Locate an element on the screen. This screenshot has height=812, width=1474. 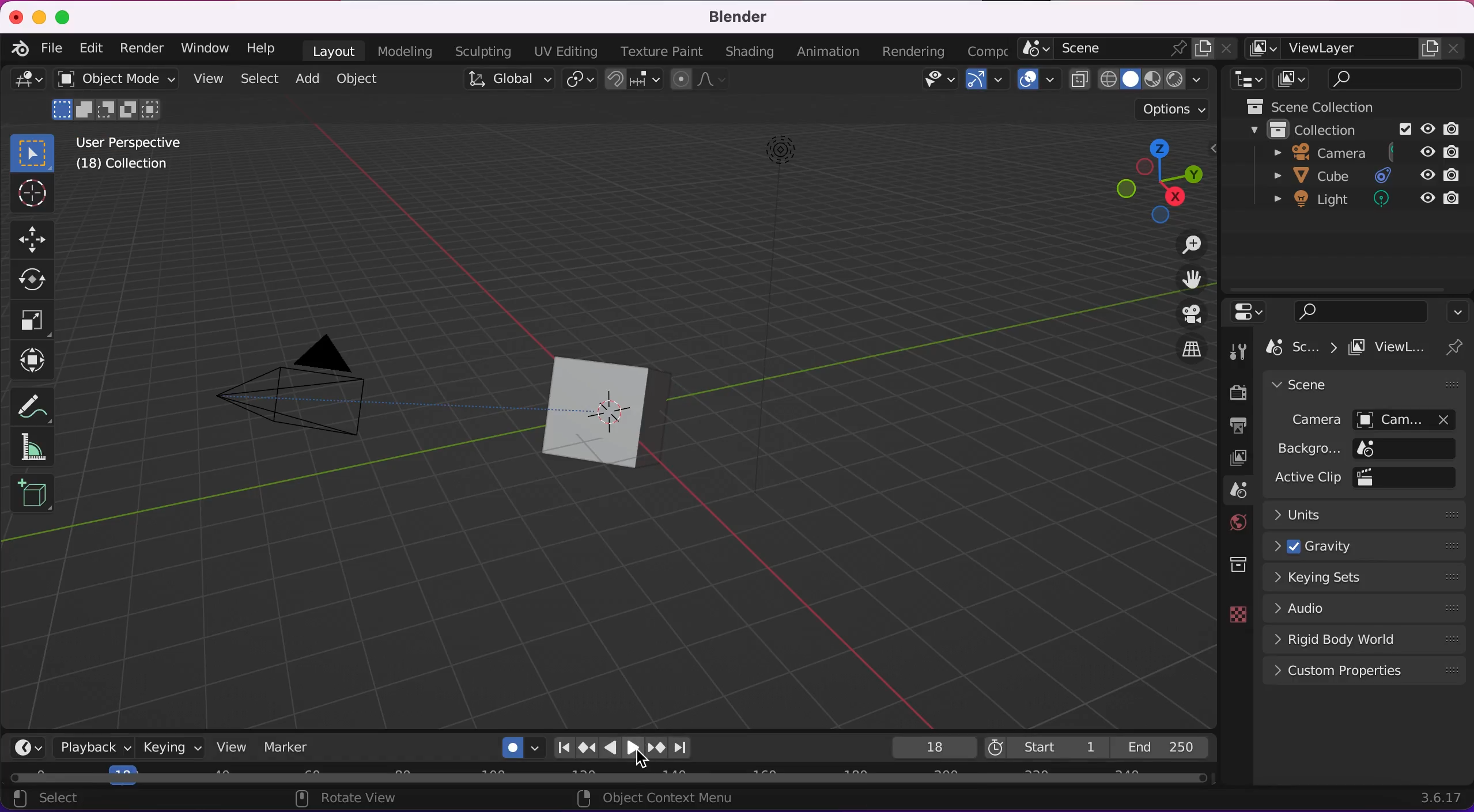
custom properties is located at coordinates (1362, 672).